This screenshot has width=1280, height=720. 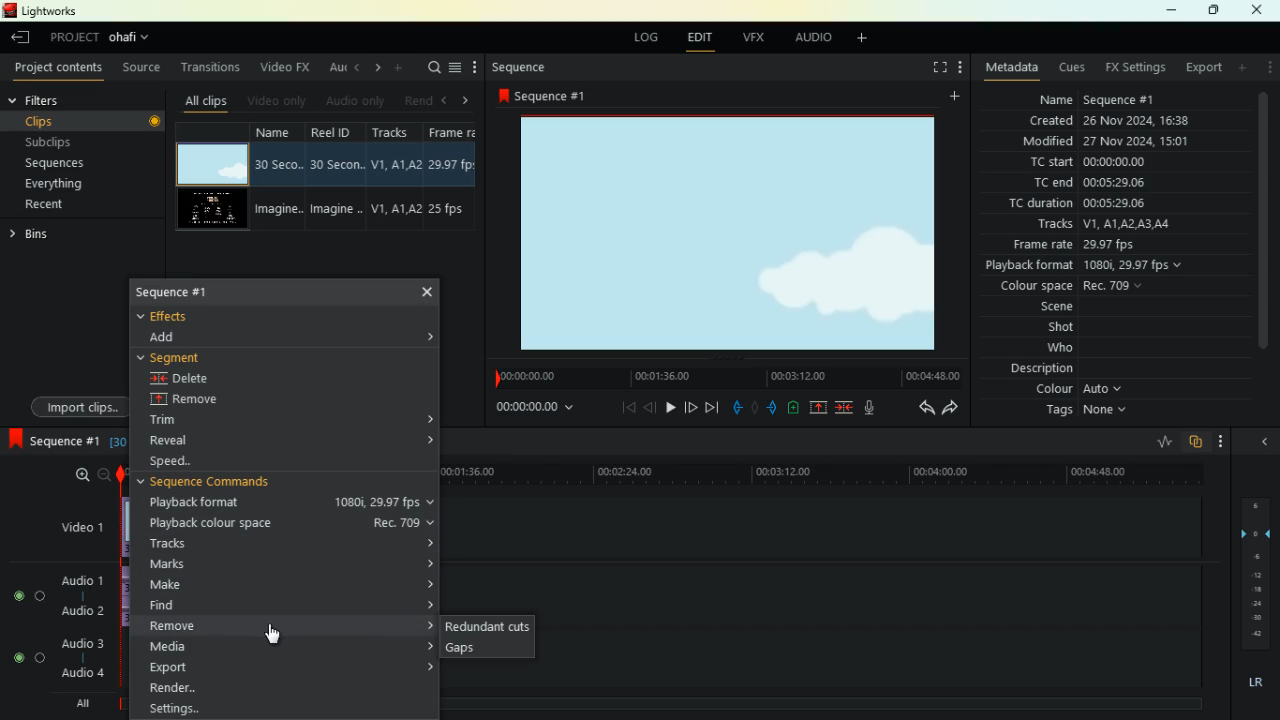 What do you see at coordinates (670, 407) in the screenshot?
I see `play` at bounding box center [670, 407].